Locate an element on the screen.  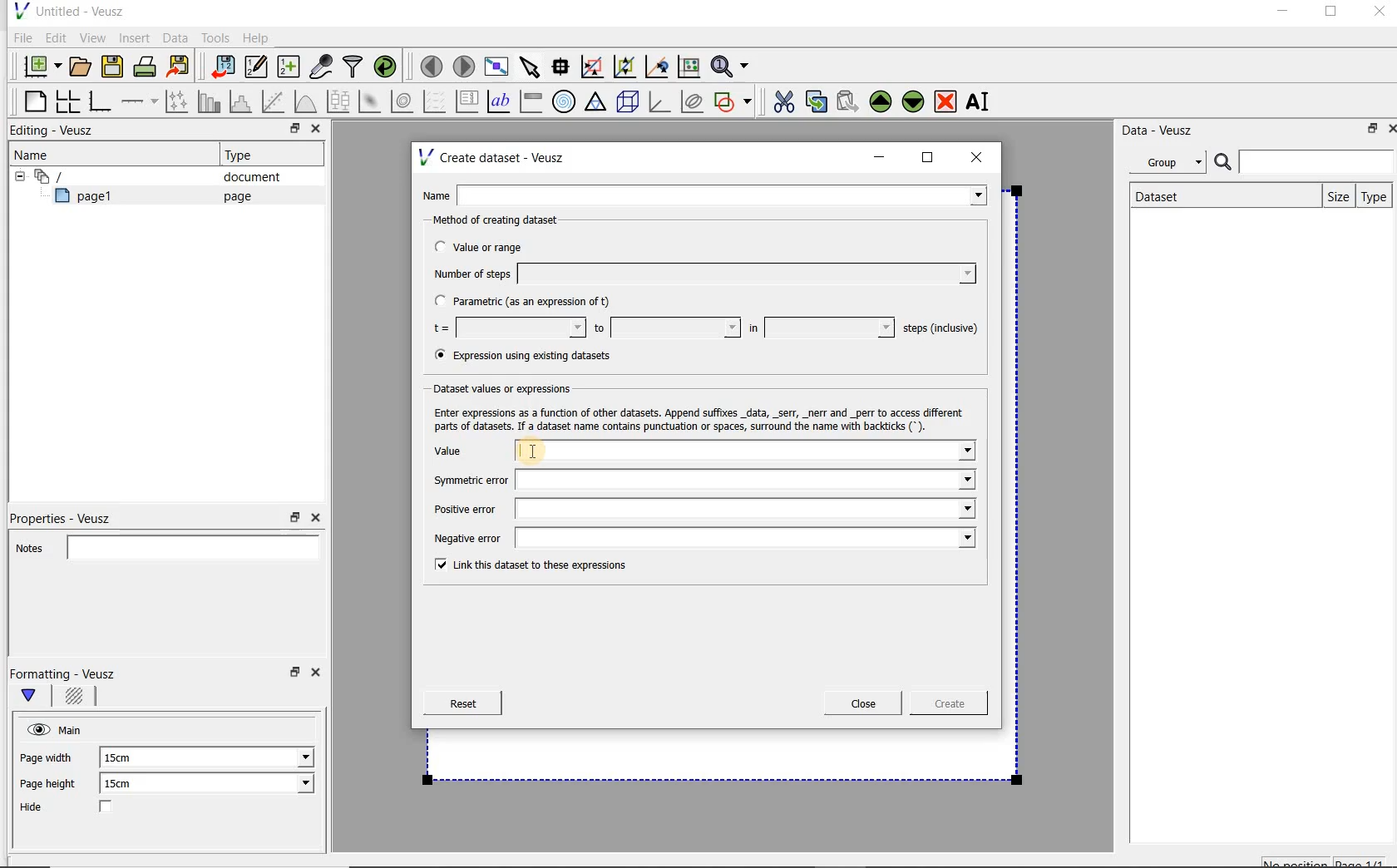
click to zoom out of graph axes is located at coordinates (625, 67).